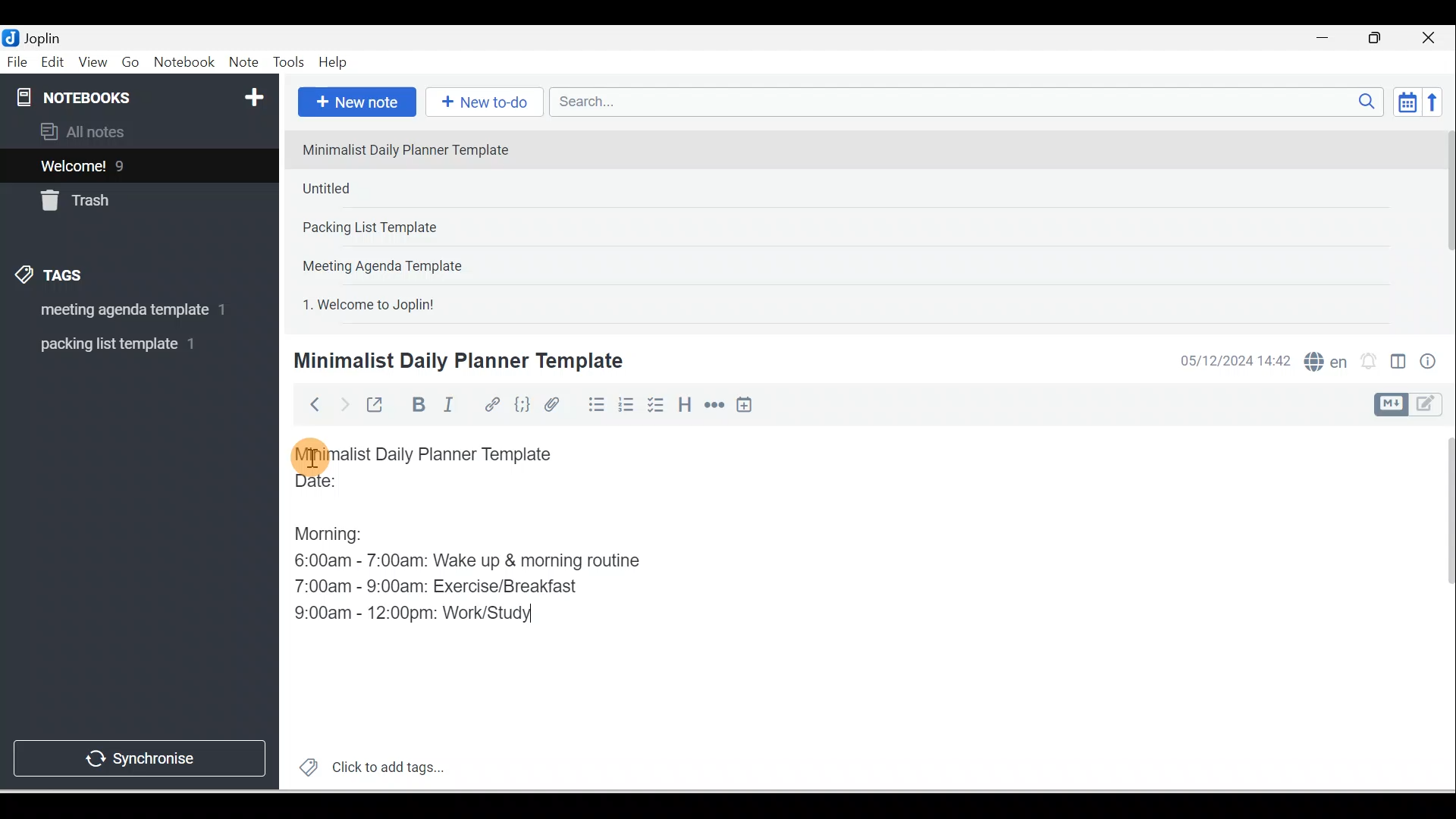 The image size is (1456, 819). I want to click on Cursor, so click(311, 455).